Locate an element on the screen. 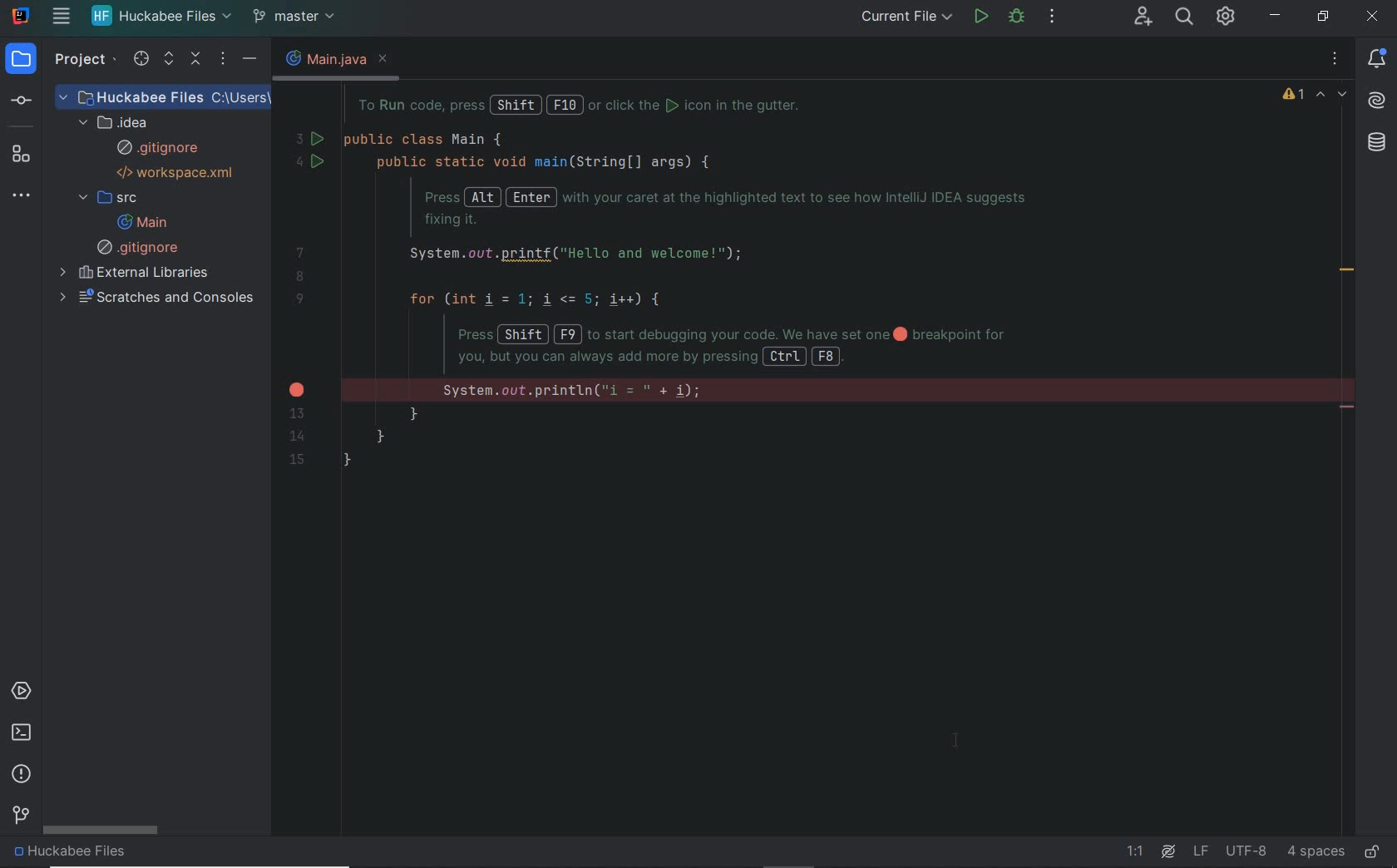 This screenshot has height=868, width=1397. expand selected is located at coordinates (167, 61).